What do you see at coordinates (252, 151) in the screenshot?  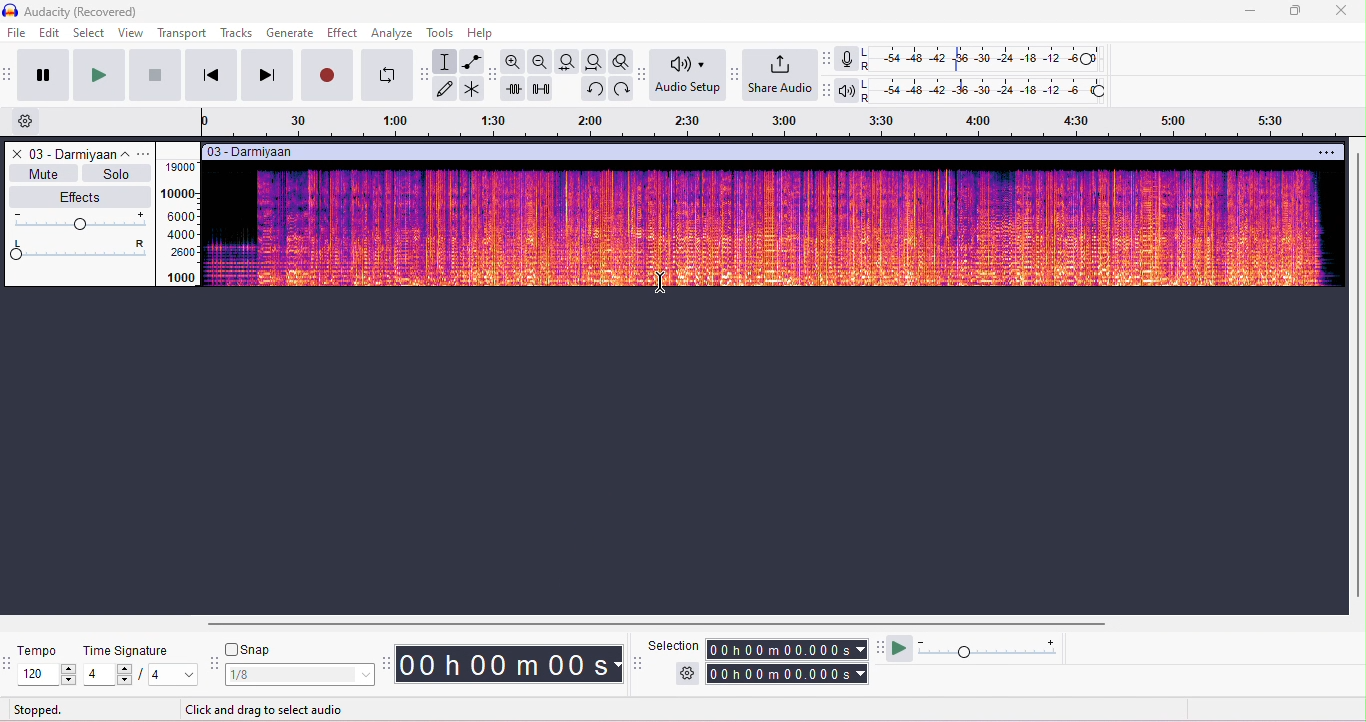 I see `track title` at bounding box center [252, 151].